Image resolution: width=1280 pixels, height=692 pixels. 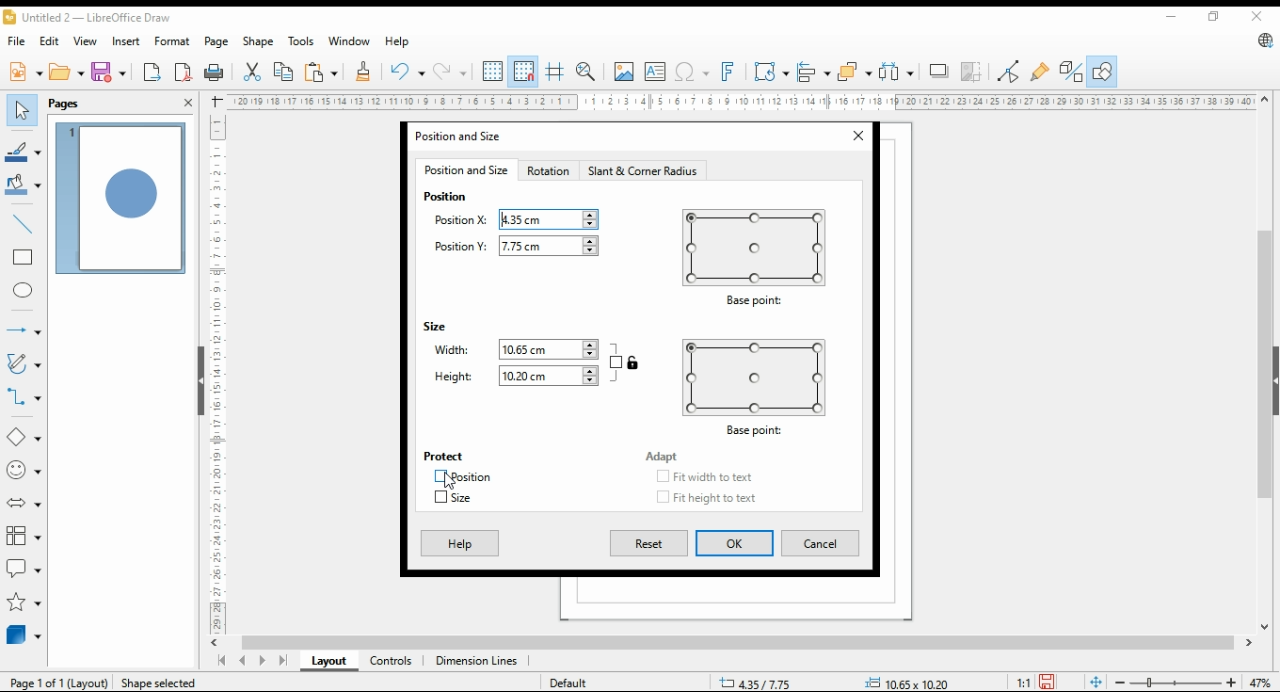 I want to click on flowchart, so click(x=23, y=536).